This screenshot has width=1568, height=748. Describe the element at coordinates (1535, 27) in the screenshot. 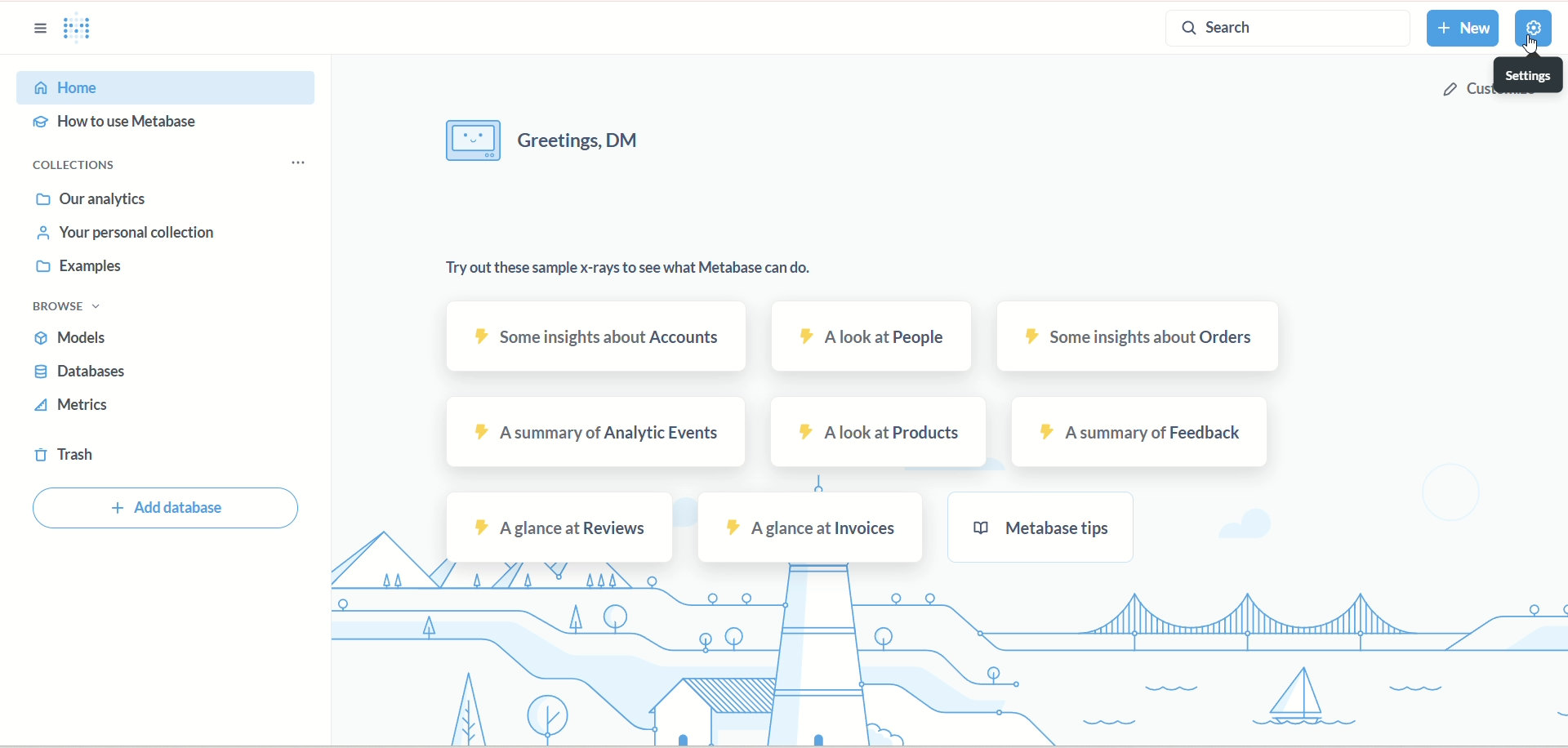

I see `settings` at that location.